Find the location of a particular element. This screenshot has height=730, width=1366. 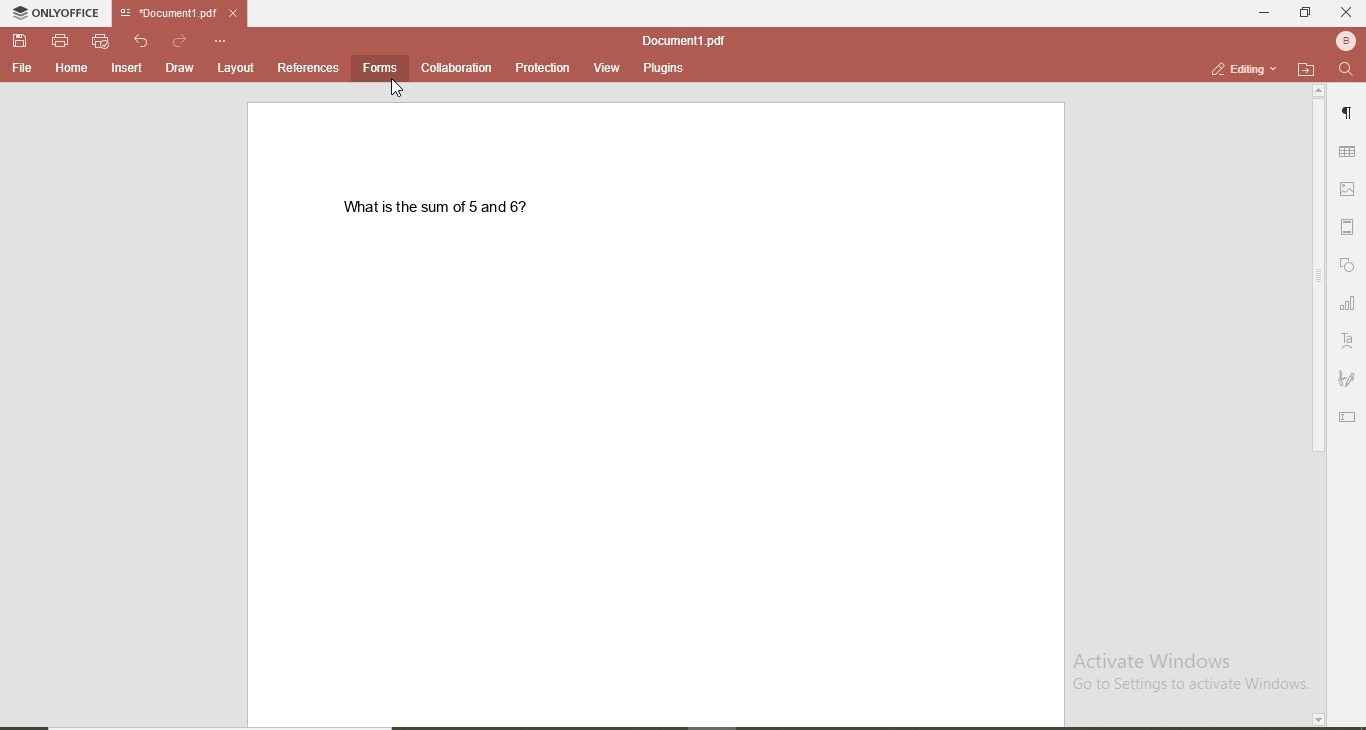

bluetooth is located at coordinates (1343, 41).